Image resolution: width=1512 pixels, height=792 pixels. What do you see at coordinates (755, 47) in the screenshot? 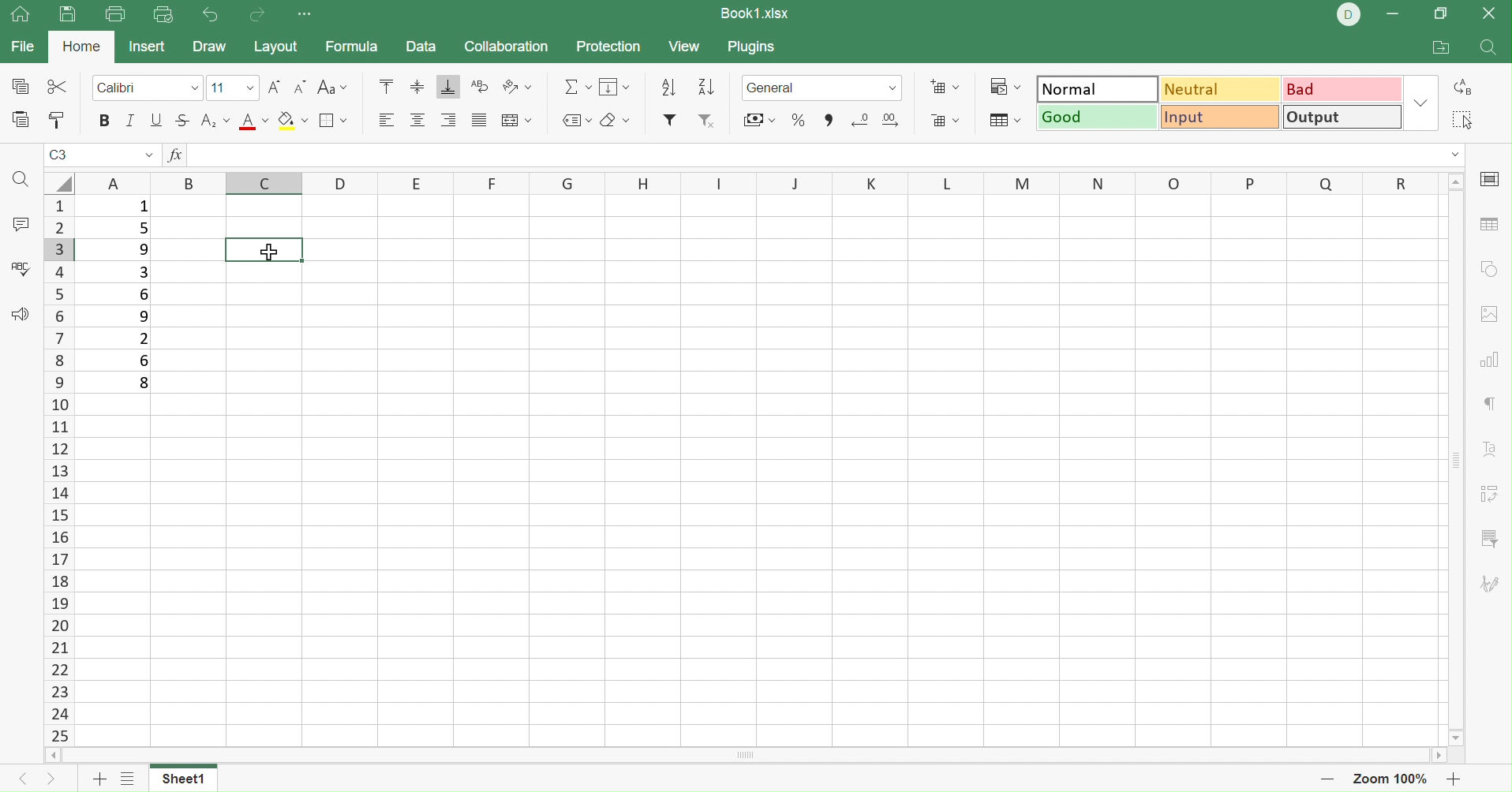
I see `Plugins` at bounding box center [755, 47].